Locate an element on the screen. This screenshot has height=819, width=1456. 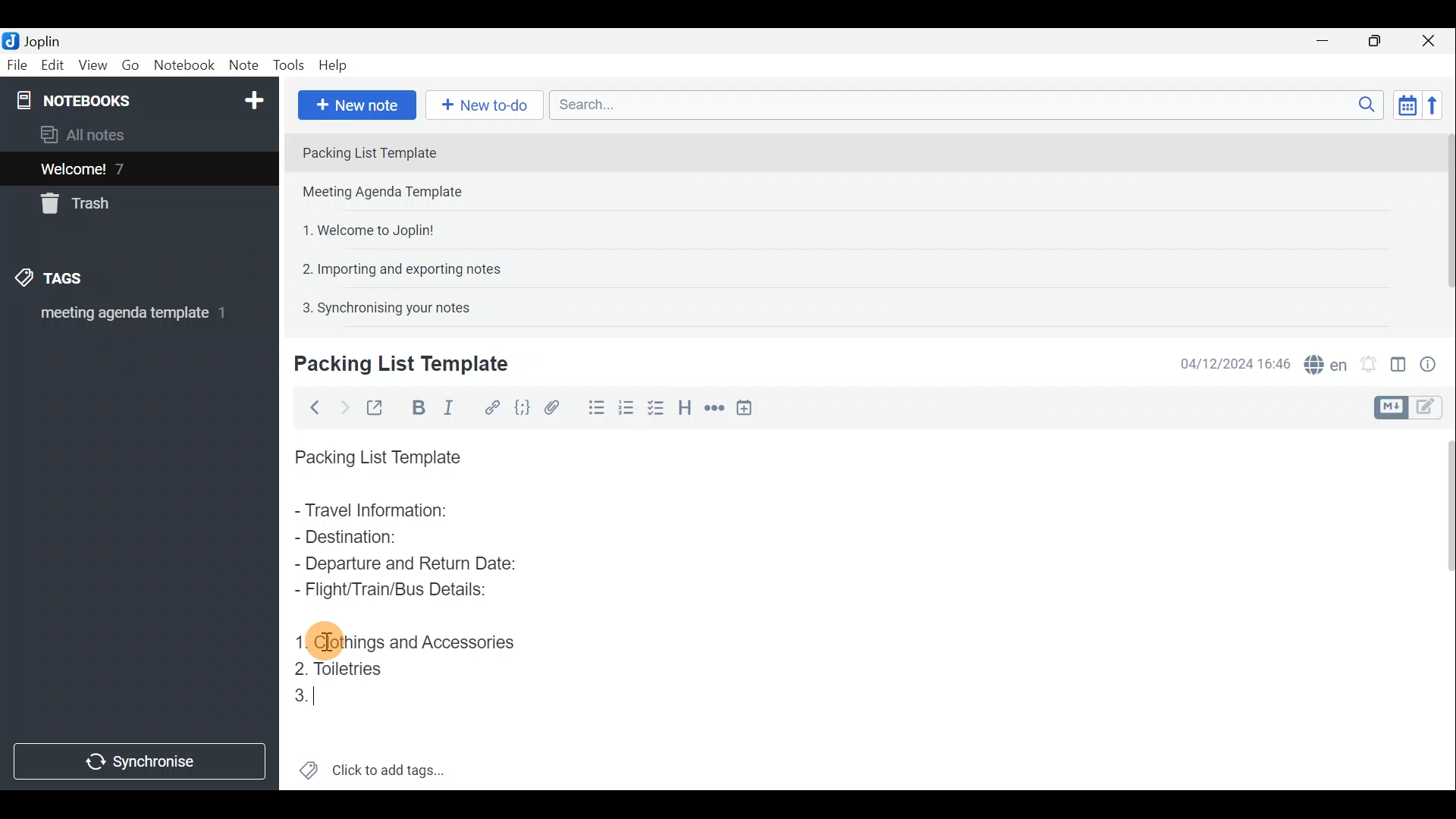
Forward is located at coordinates (341, 406).